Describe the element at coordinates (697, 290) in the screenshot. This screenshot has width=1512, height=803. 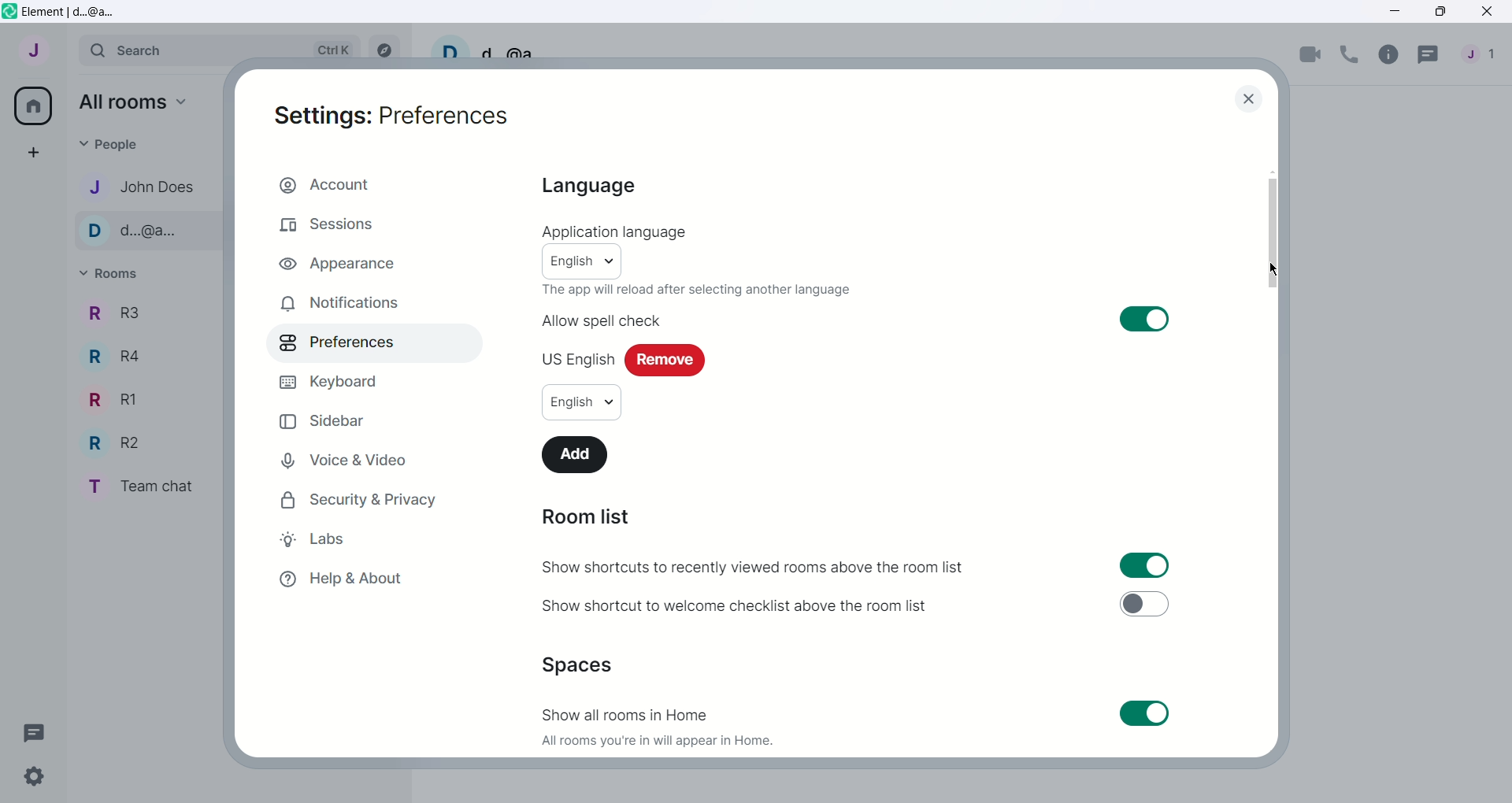
I see `The app will reload after selecting another language` at that location.